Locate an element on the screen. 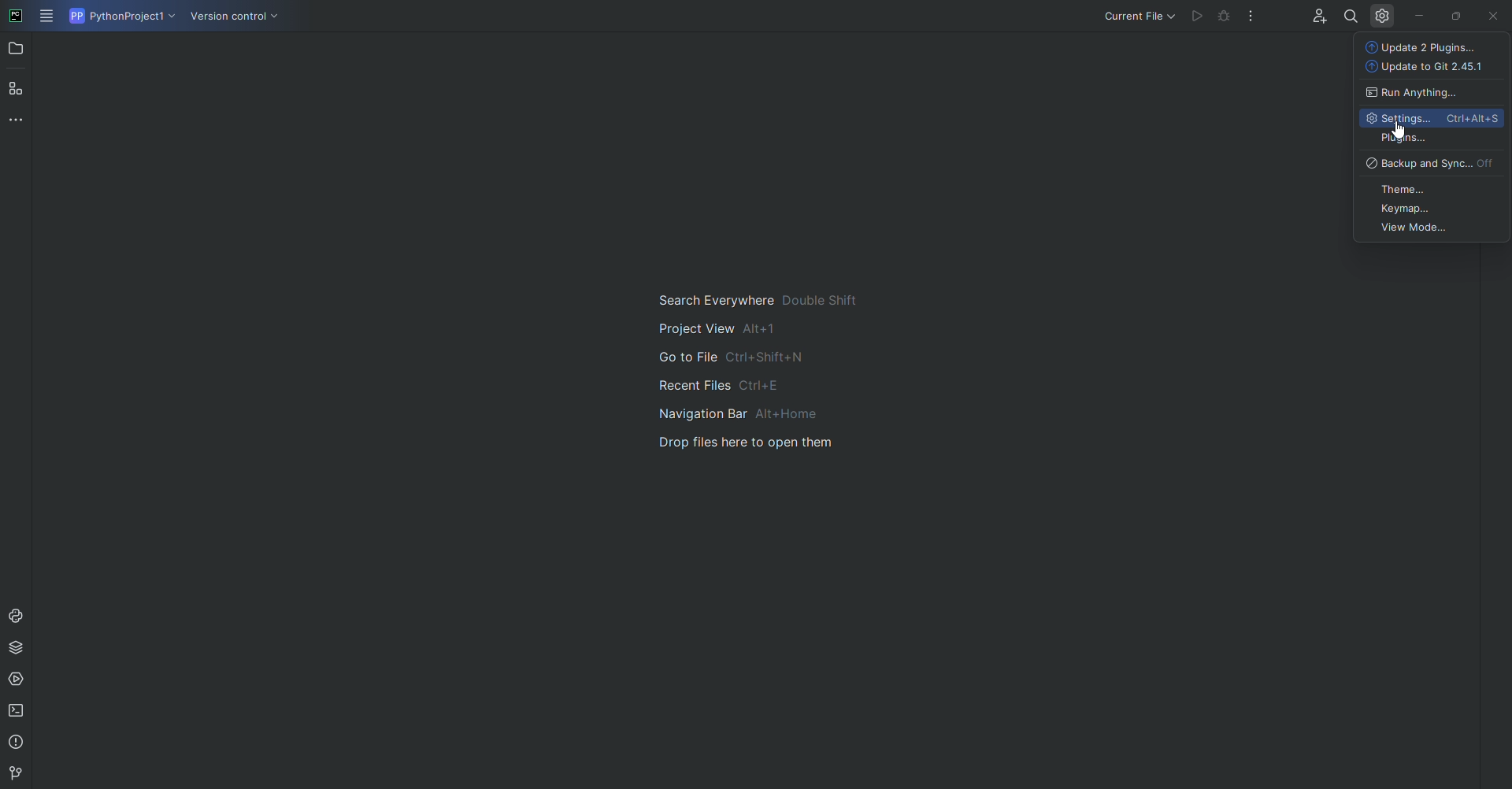 This screenshot has height=789, width=1512. Settings is located at coordinates (1400, 118).